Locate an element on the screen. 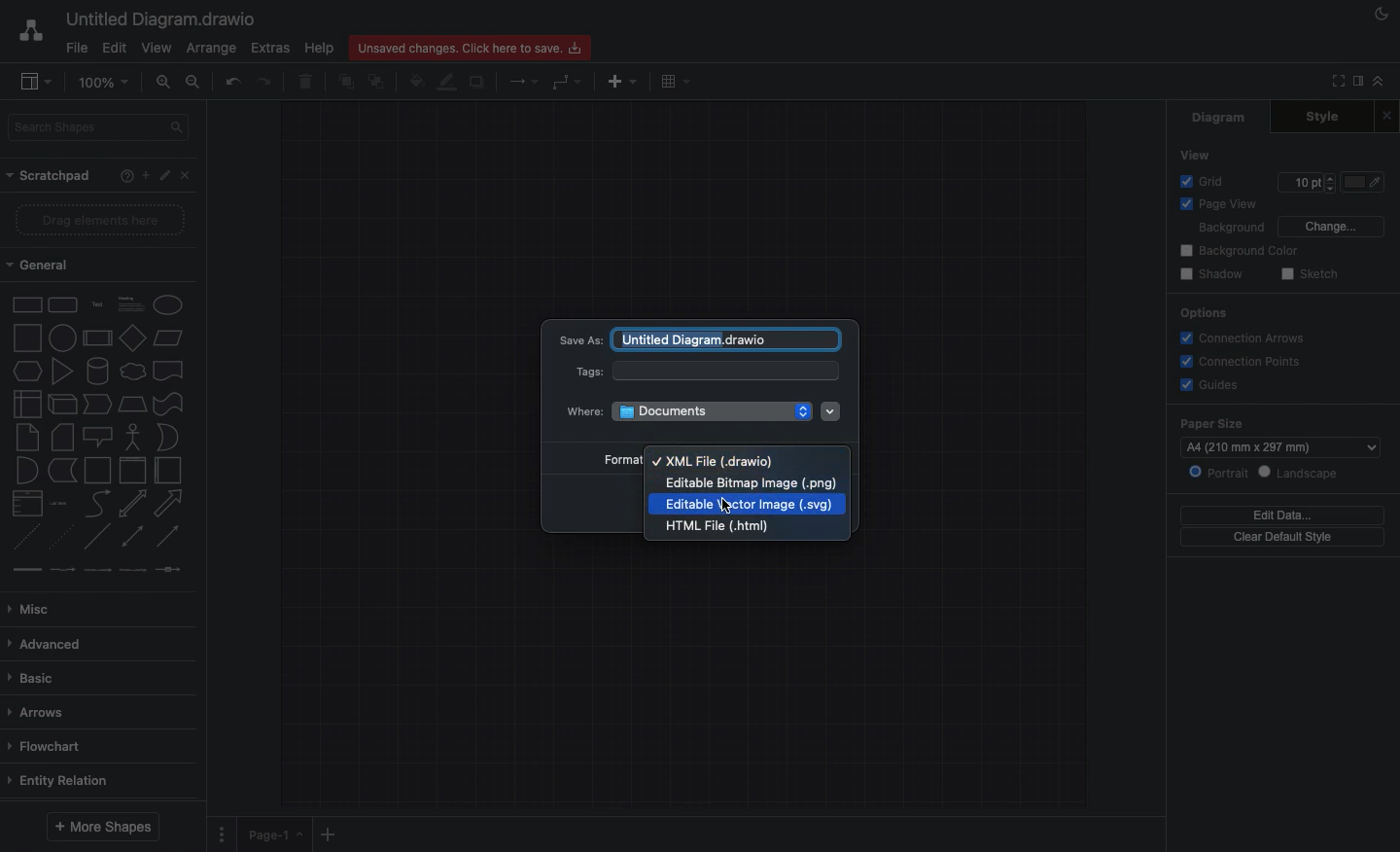 This screenshot has height=852, width=1400. View is located at coordinates (1197, 154).